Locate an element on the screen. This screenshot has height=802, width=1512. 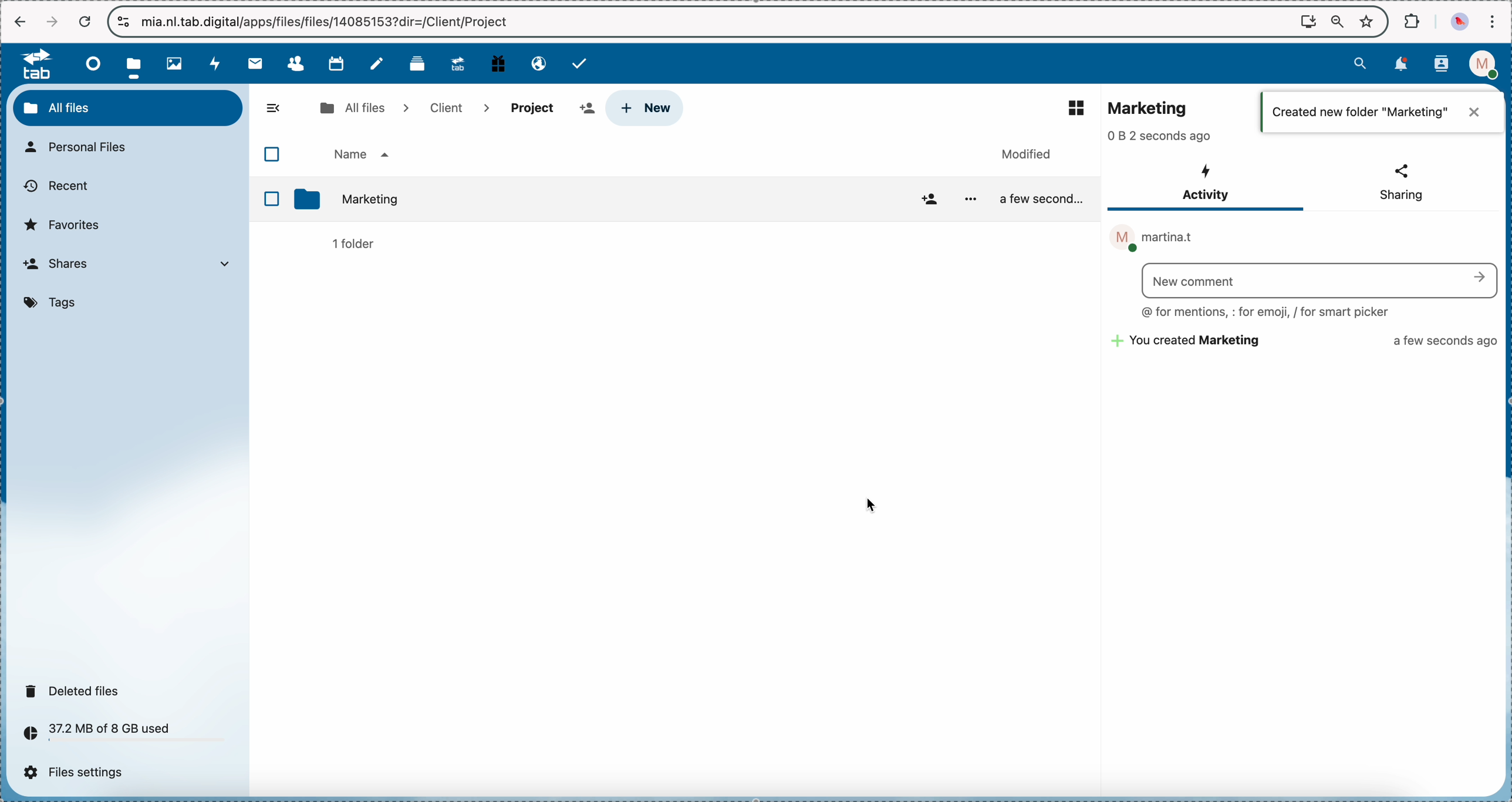
add is located at coordinates (587, 109).